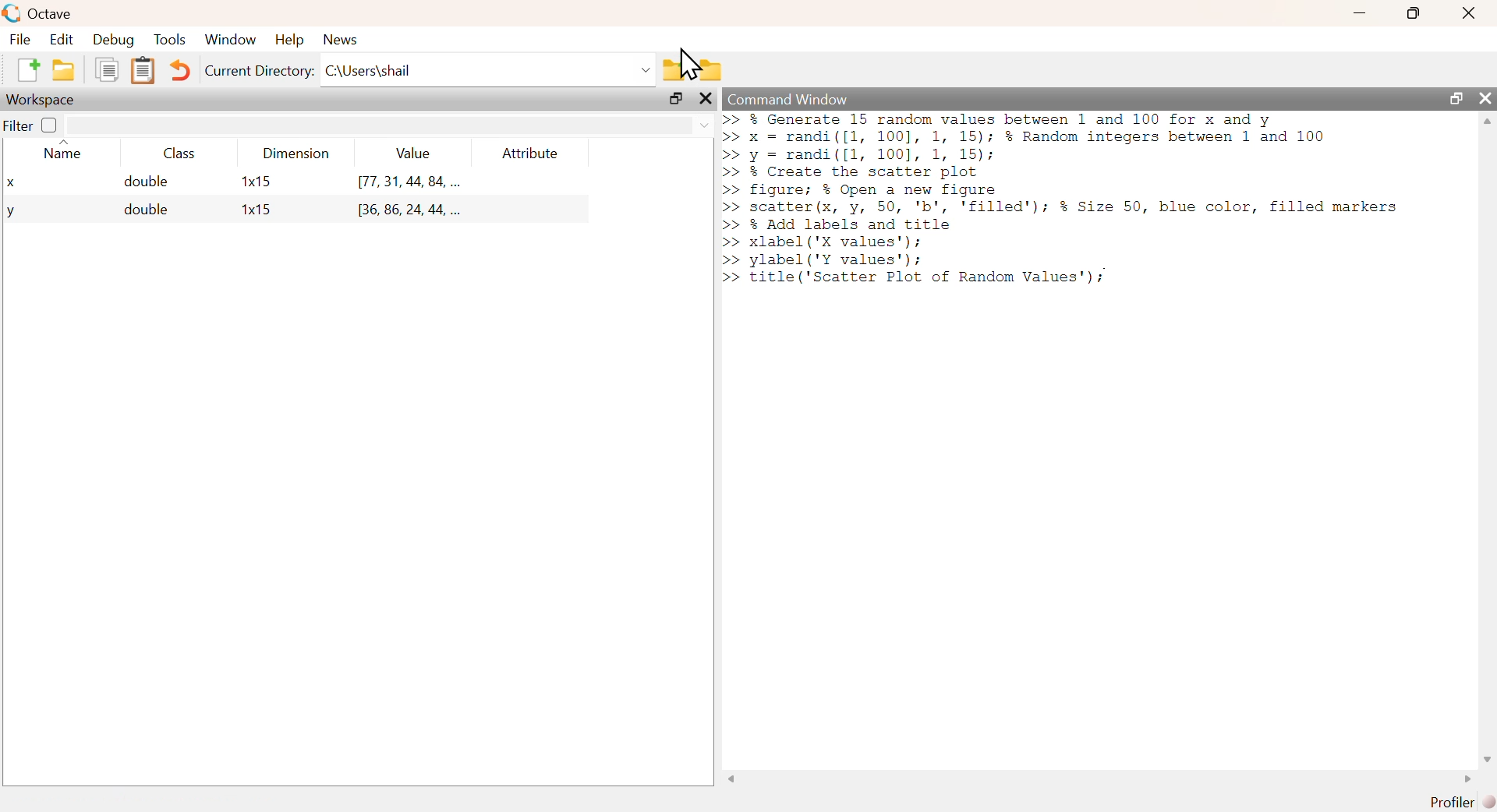 This screenshot has height=812, width=1497. Describe the element at coordinates (369, 71) in the screenshot. I see `C:\Users\shail` at that location.